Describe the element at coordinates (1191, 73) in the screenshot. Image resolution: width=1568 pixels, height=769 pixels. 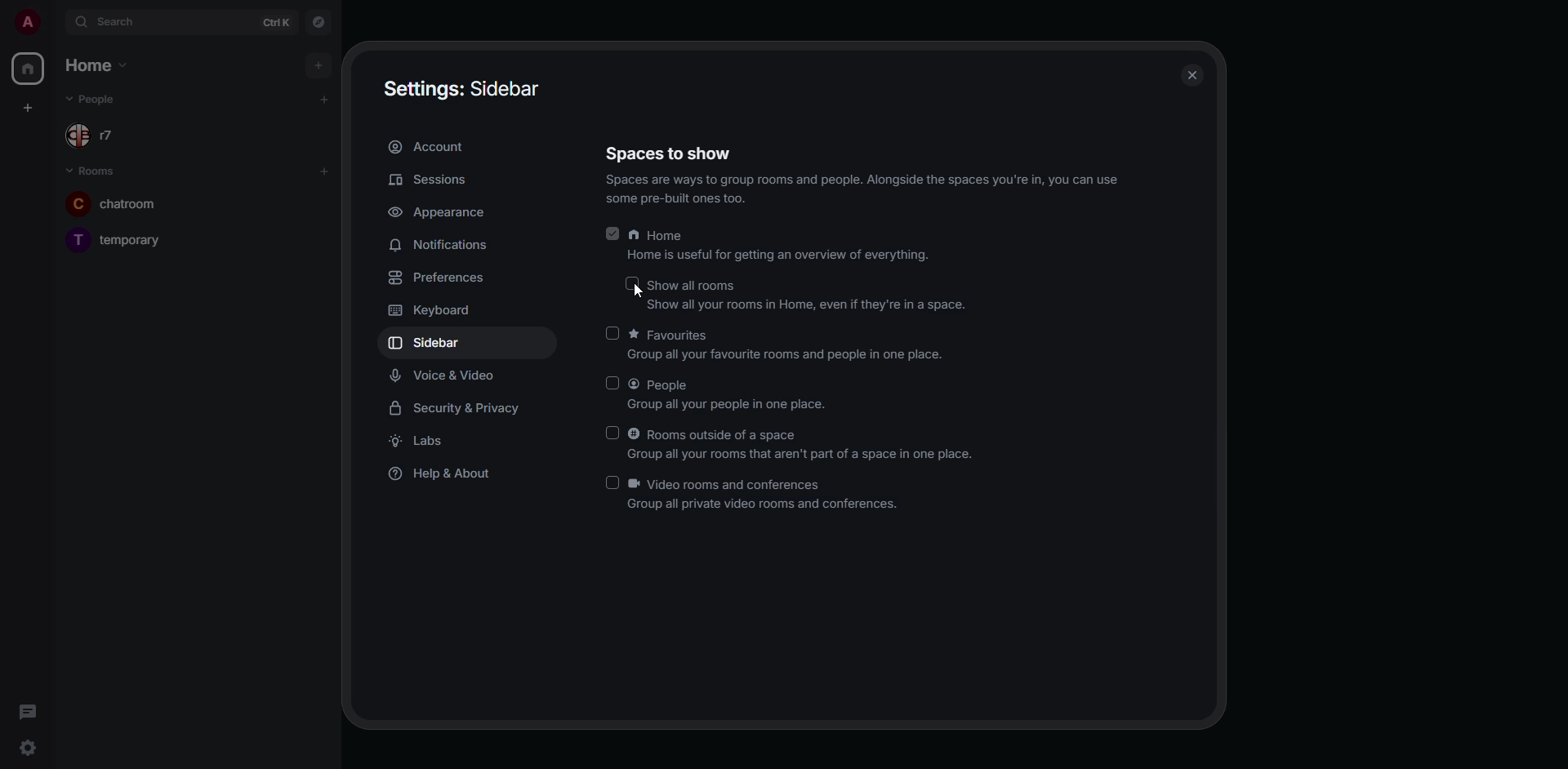
I see `close` at that location.